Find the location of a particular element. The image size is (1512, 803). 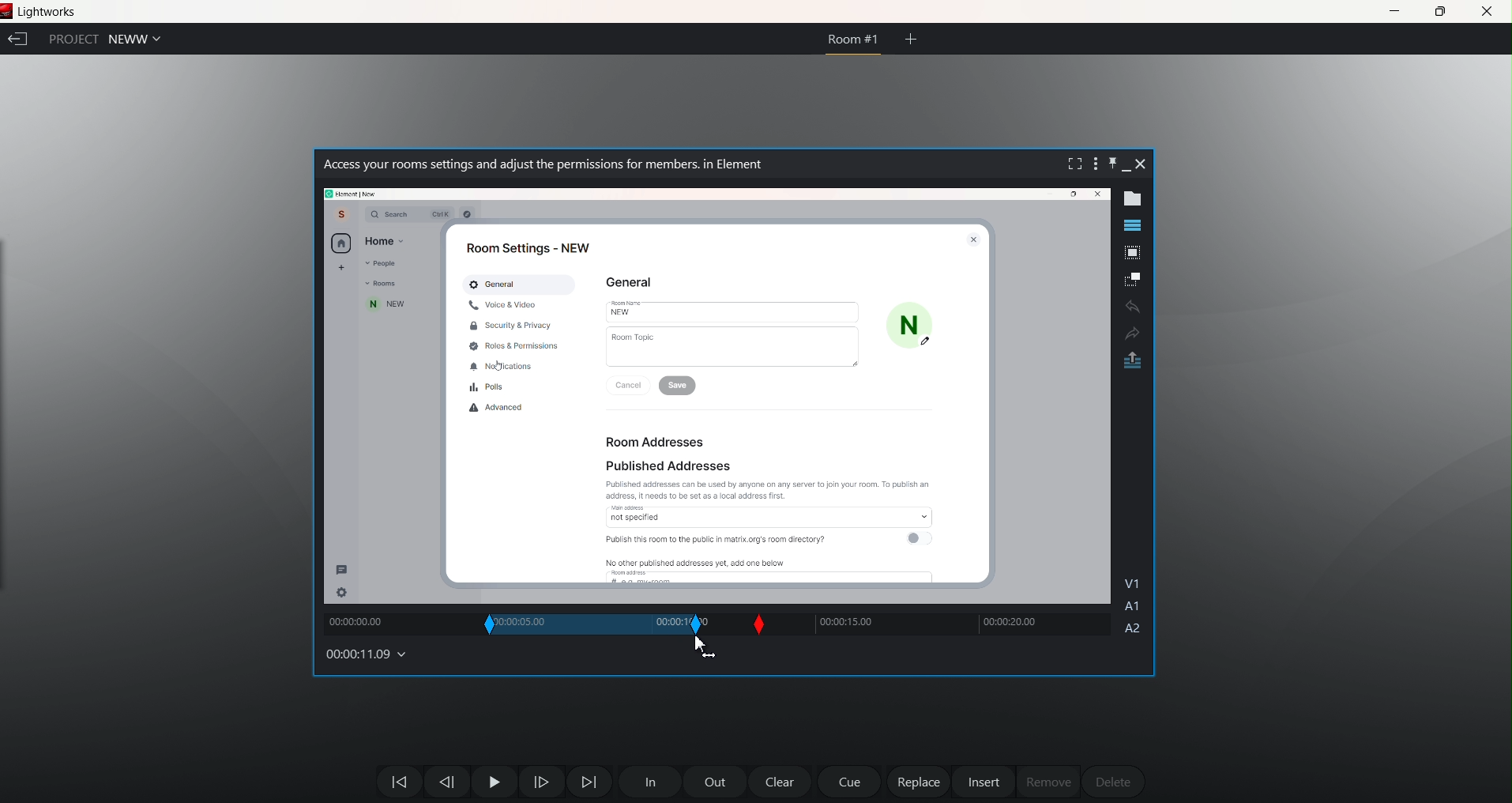

add new is located at coordinates (340, 269).